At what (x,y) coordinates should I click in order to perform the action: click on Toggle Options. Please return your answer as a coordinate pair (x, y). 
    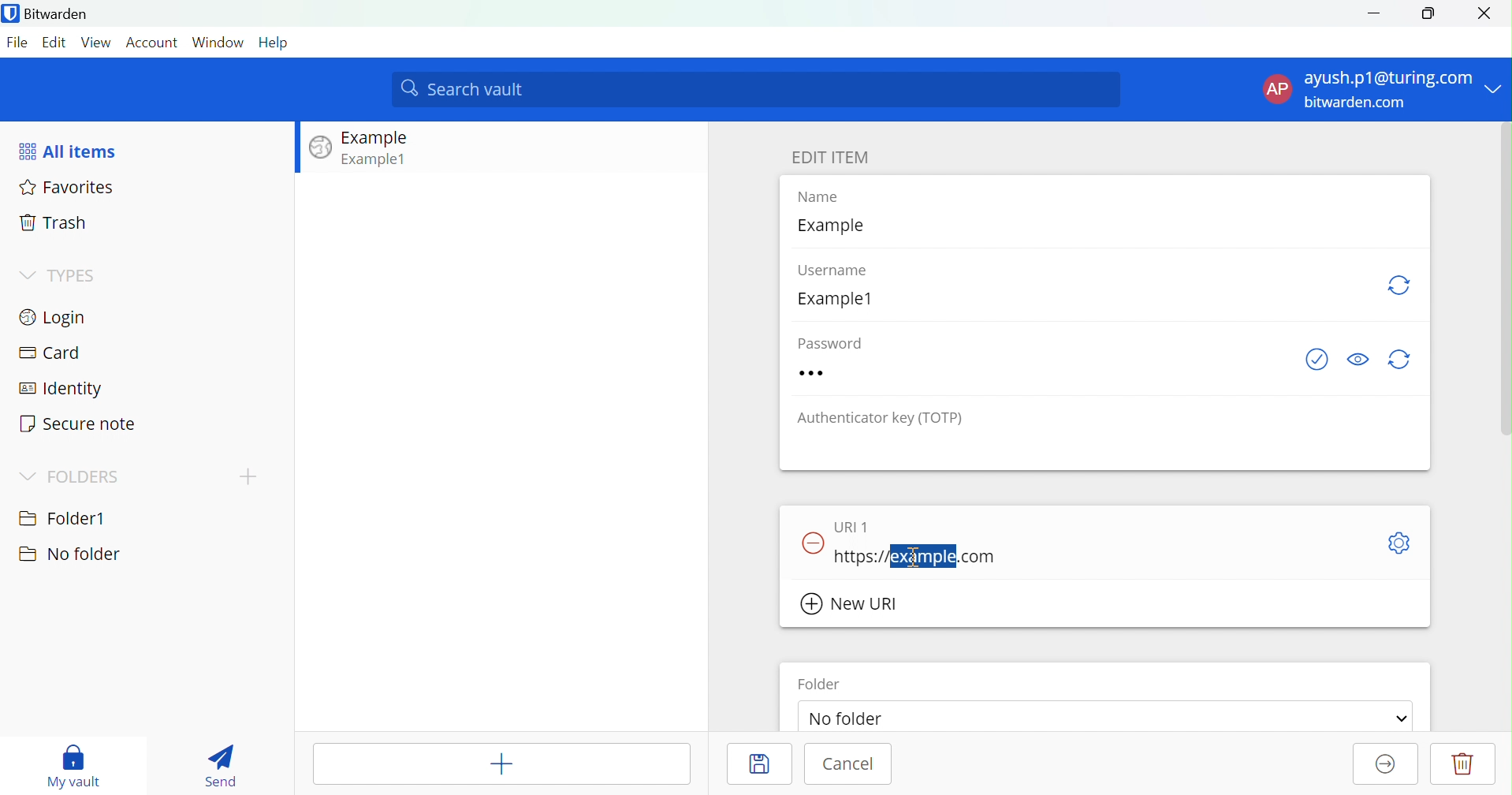
    Looking at the image, I should click on (1399, 544).